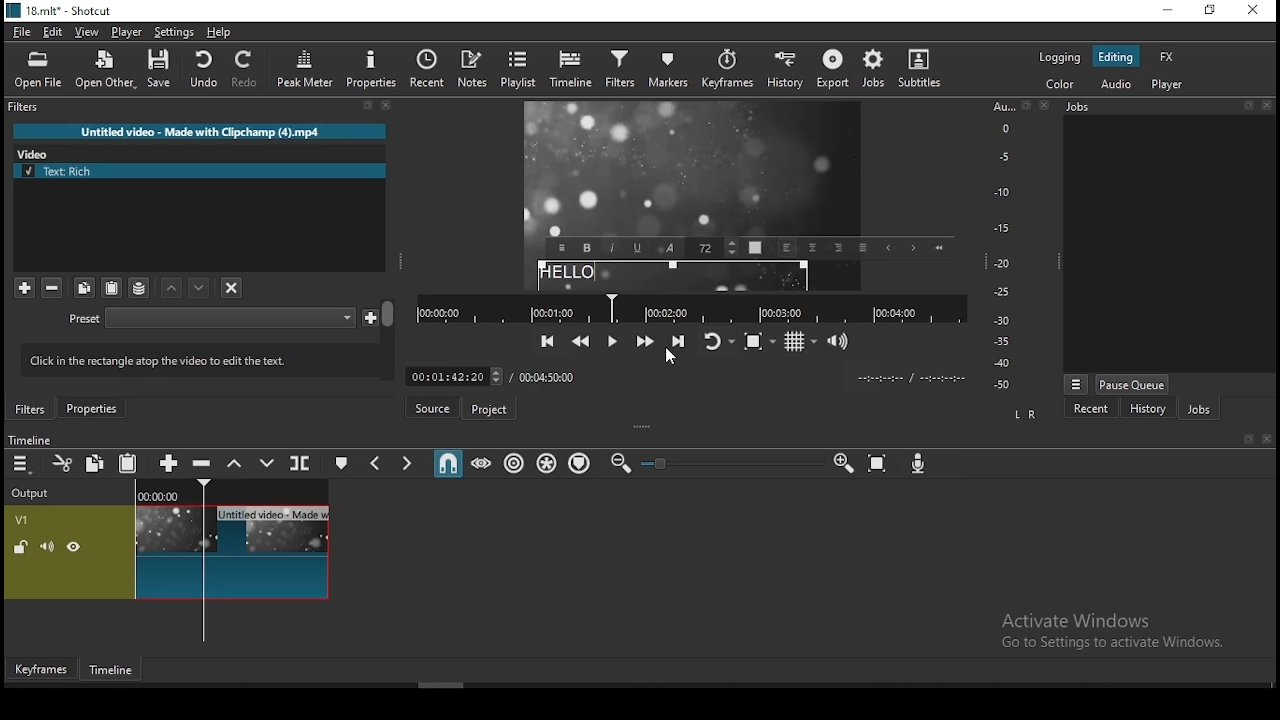 Image resolution: width=1280 pixels, height=720 pixels. Describe the element at coordinates (266, 462) in the screenshot. I see `overwrite` at that location.